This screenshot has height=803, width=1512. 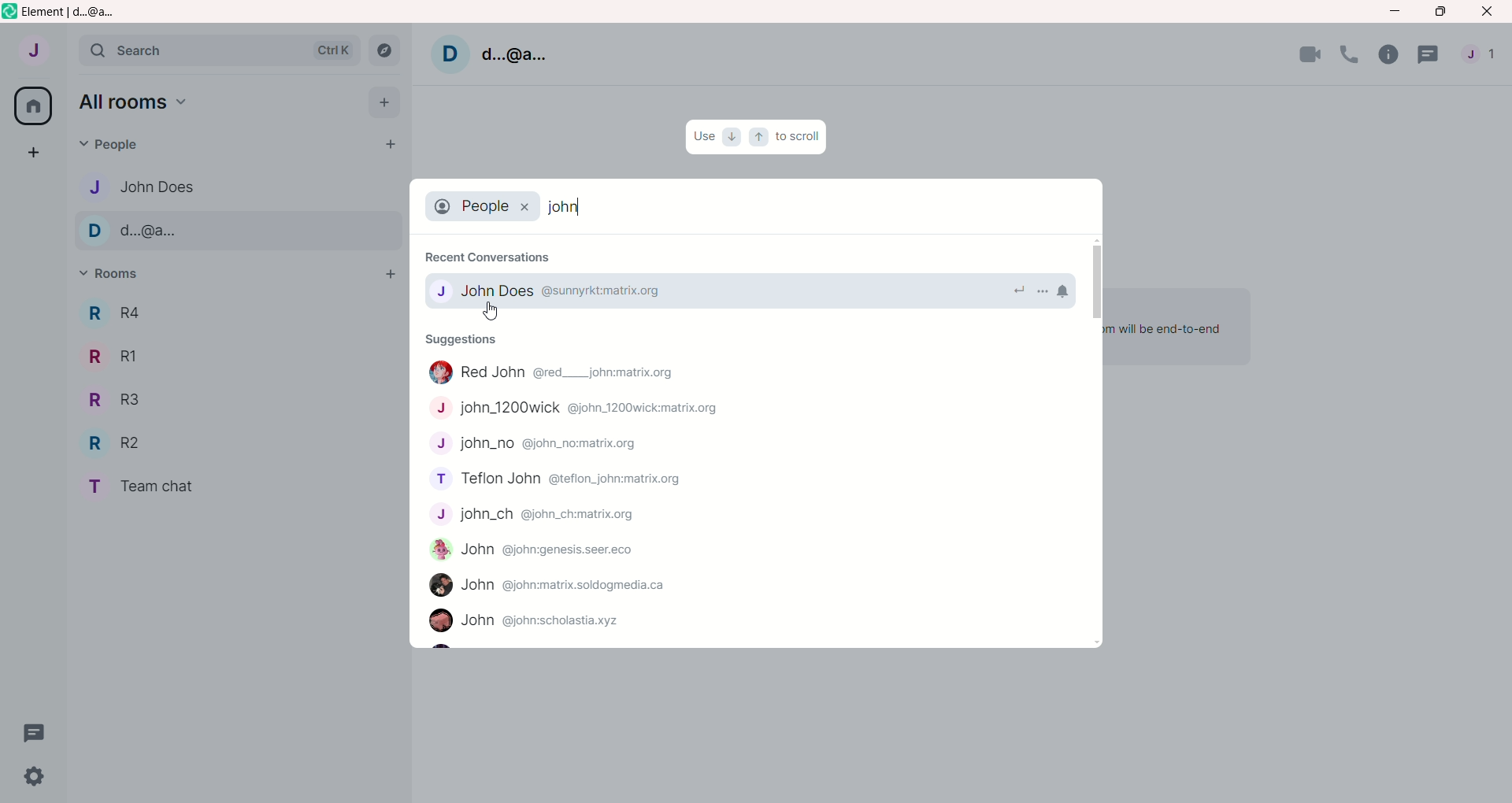 I want to click on vertical scroll bar, so click(x=1093, y=445).